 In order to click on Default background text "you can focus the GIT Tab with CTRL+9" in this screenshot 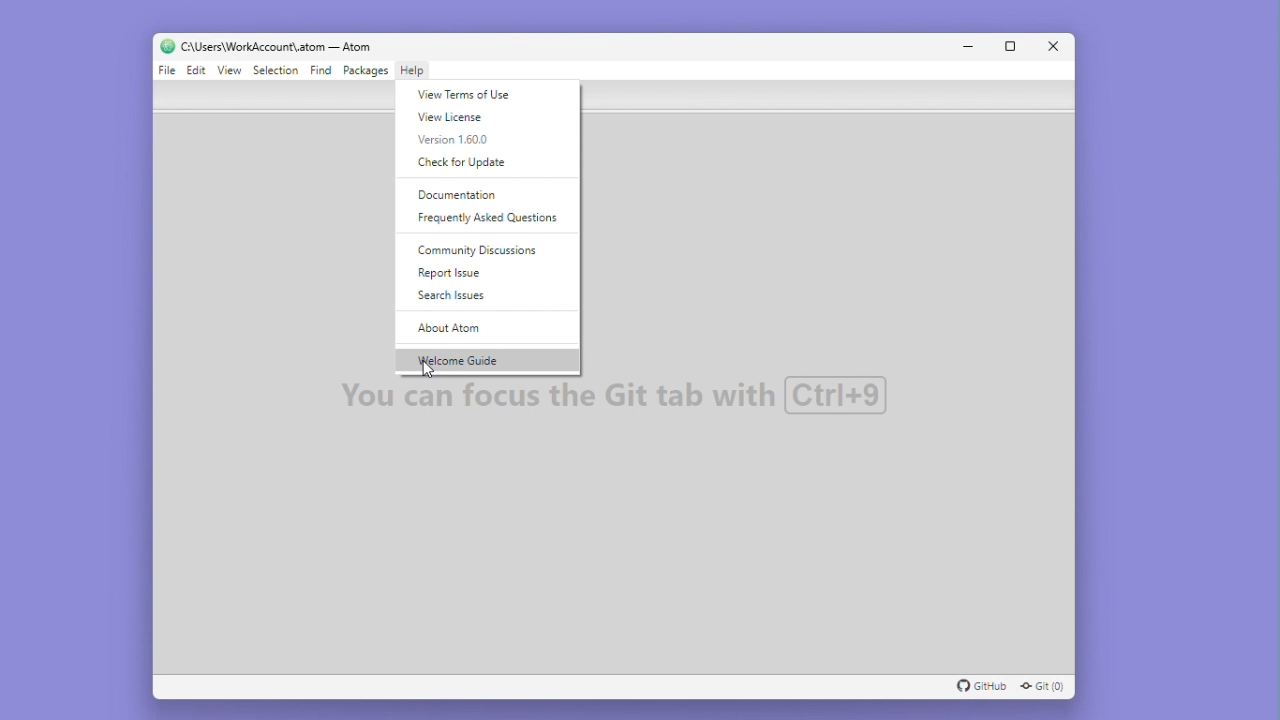, I will do `click(613, 398)`.